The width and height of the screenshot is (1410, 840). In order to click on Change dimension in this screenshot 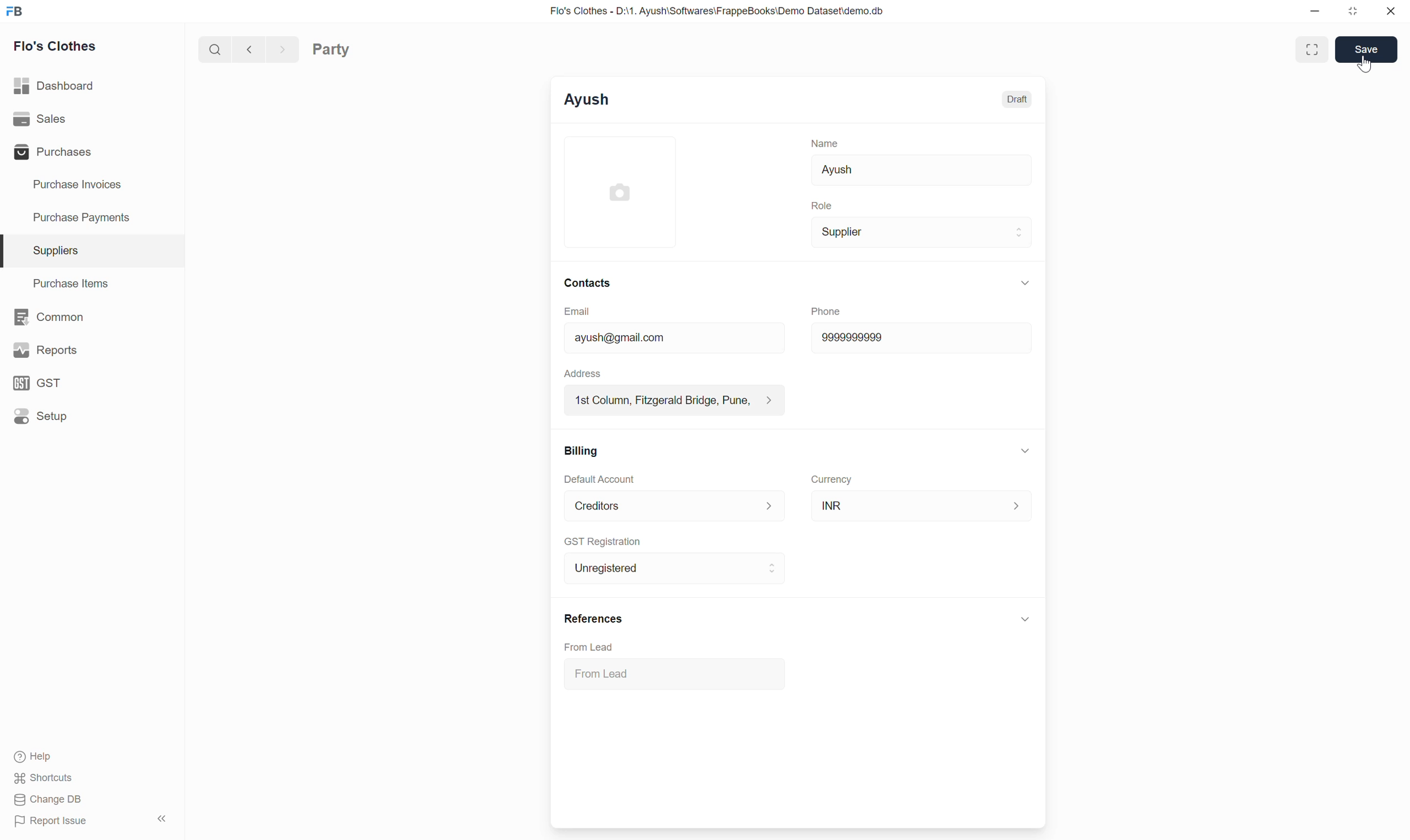, I will do `click(1353, 11)`.